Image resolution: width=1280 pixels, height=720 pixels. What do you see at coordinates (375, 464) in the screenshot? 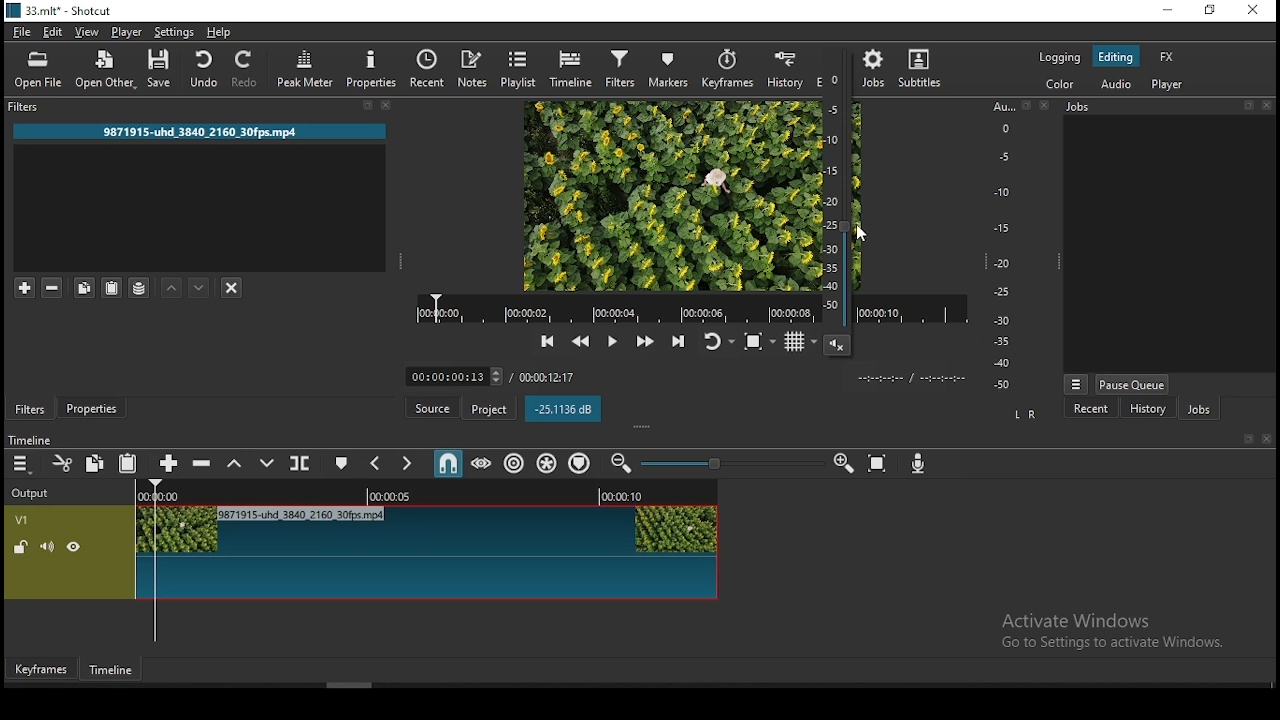
I see `previous marker` at bounding box center [375, 464].